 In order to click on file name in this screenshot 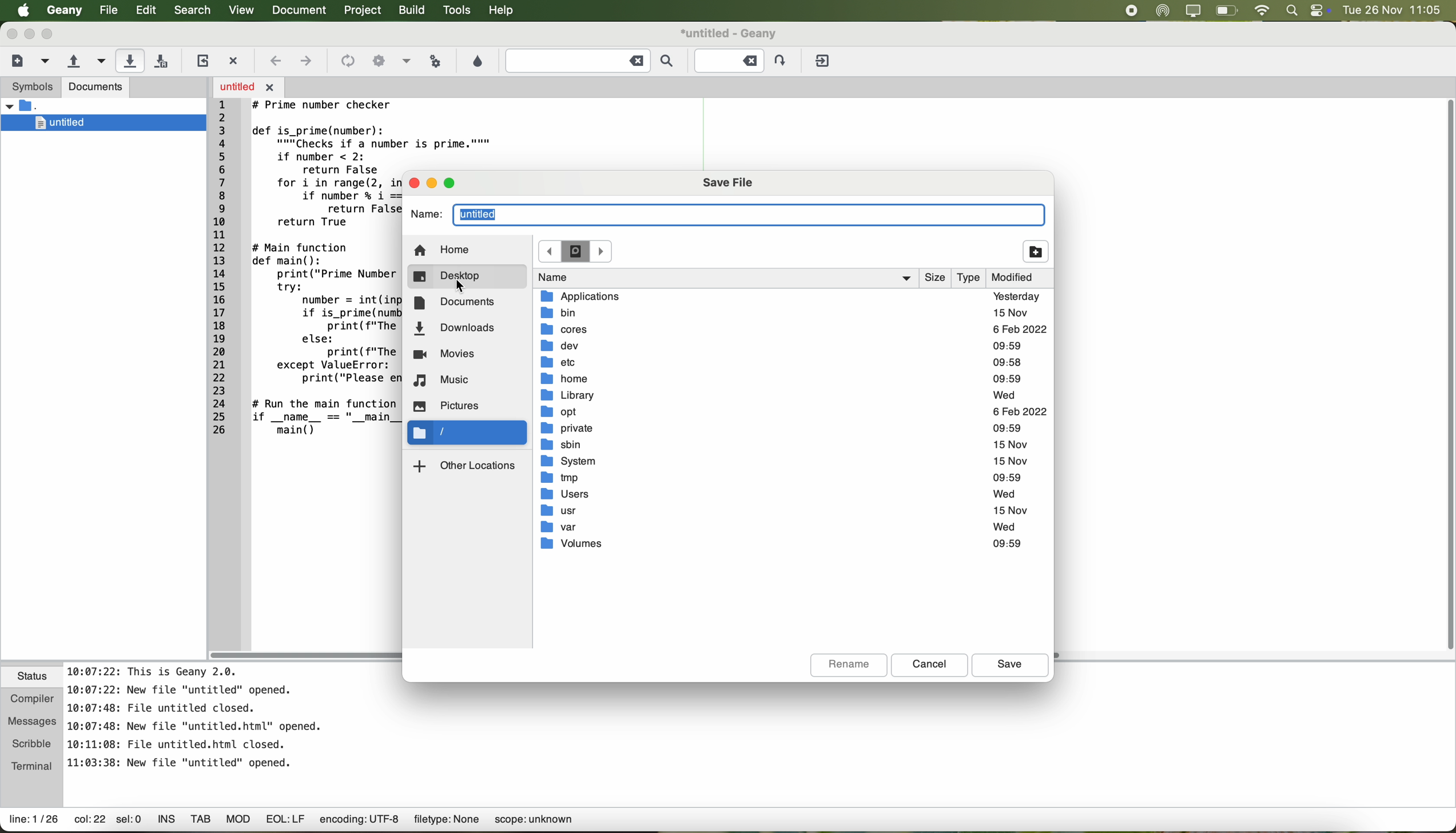, I will do `click(729, 33)`.